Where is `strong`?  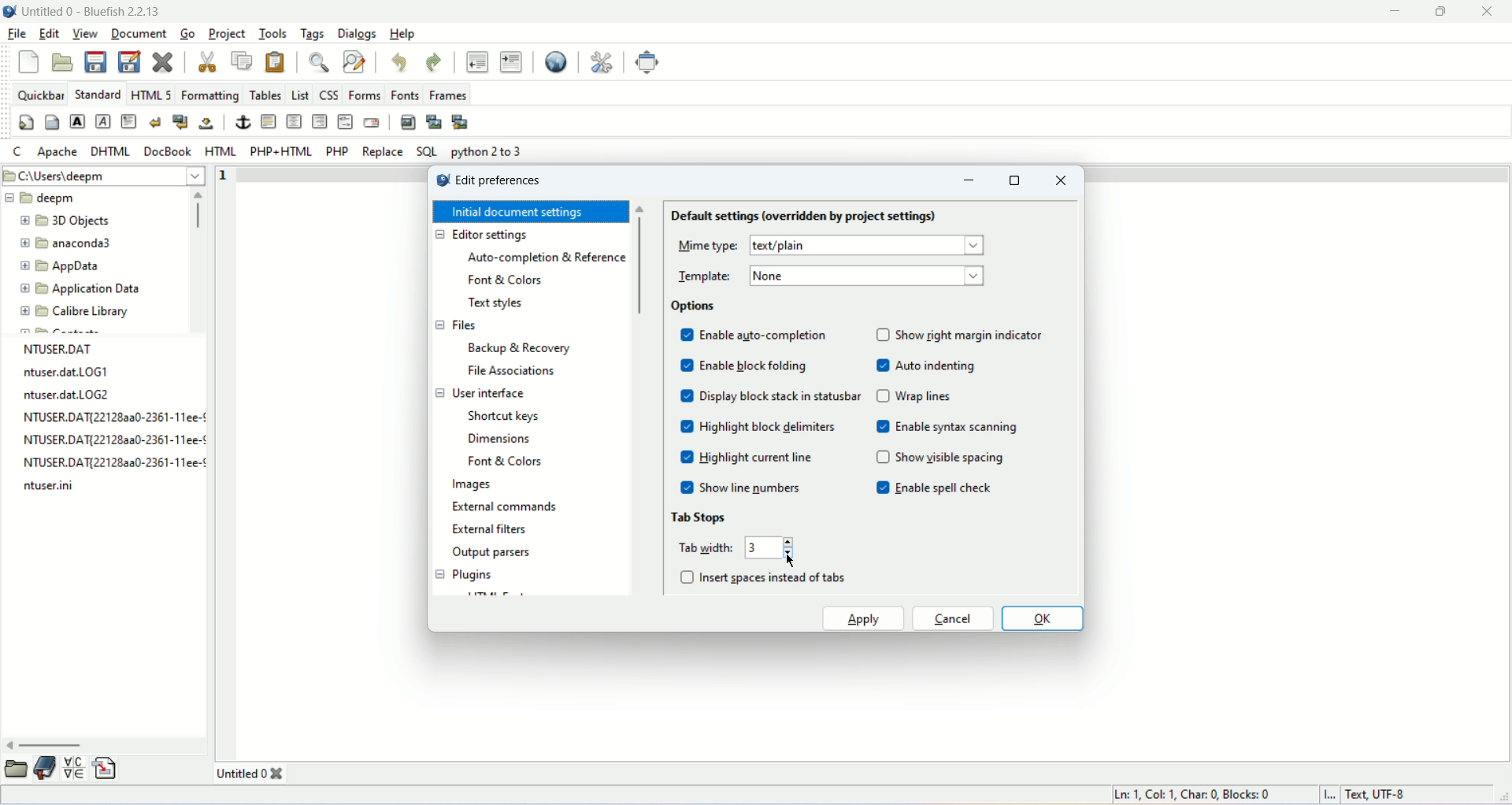 strong is located at coordinates (76, 121).